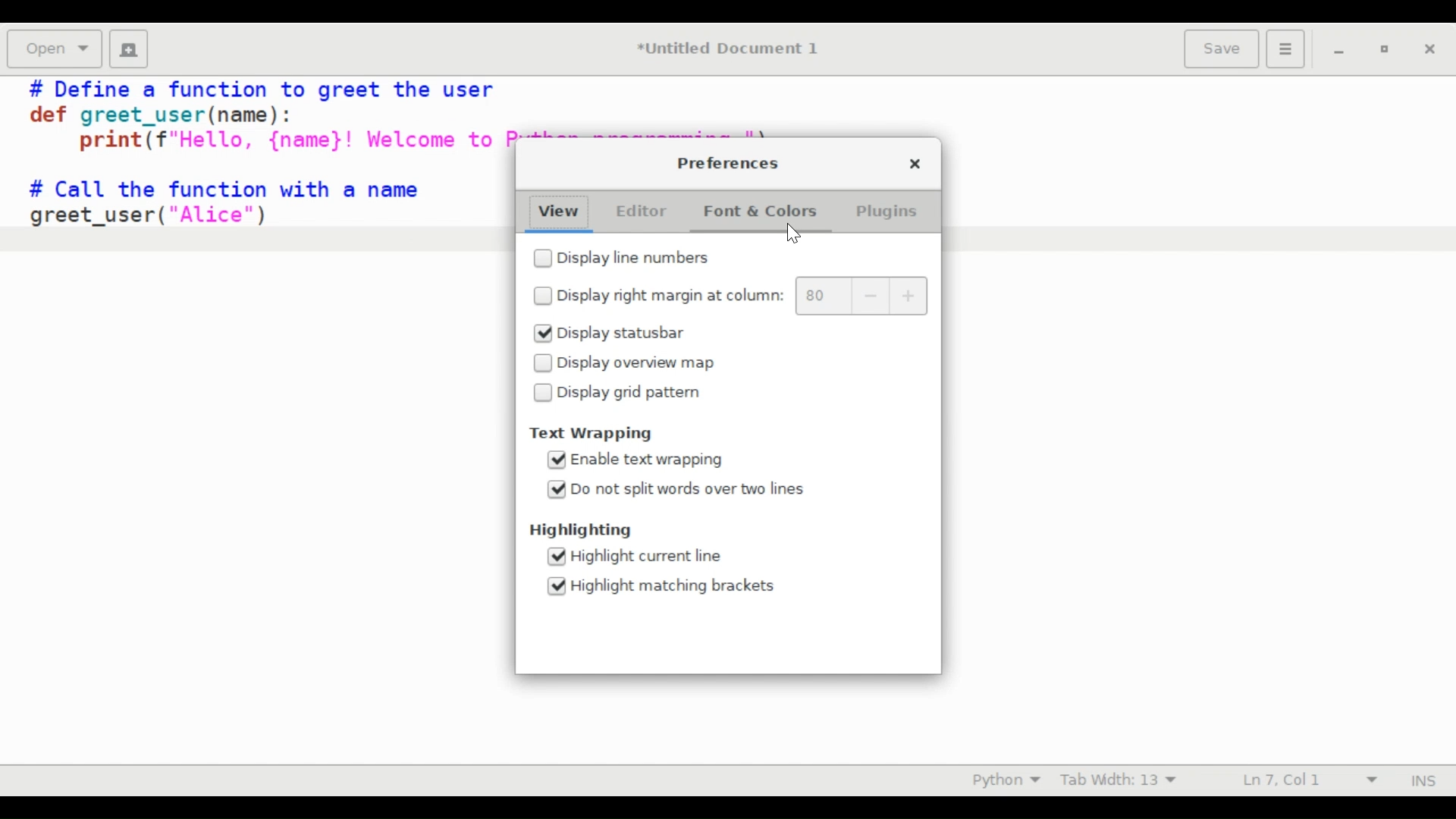 This screenshot has width=1456, height=819. I want to click on Document name, so click(732, 49).